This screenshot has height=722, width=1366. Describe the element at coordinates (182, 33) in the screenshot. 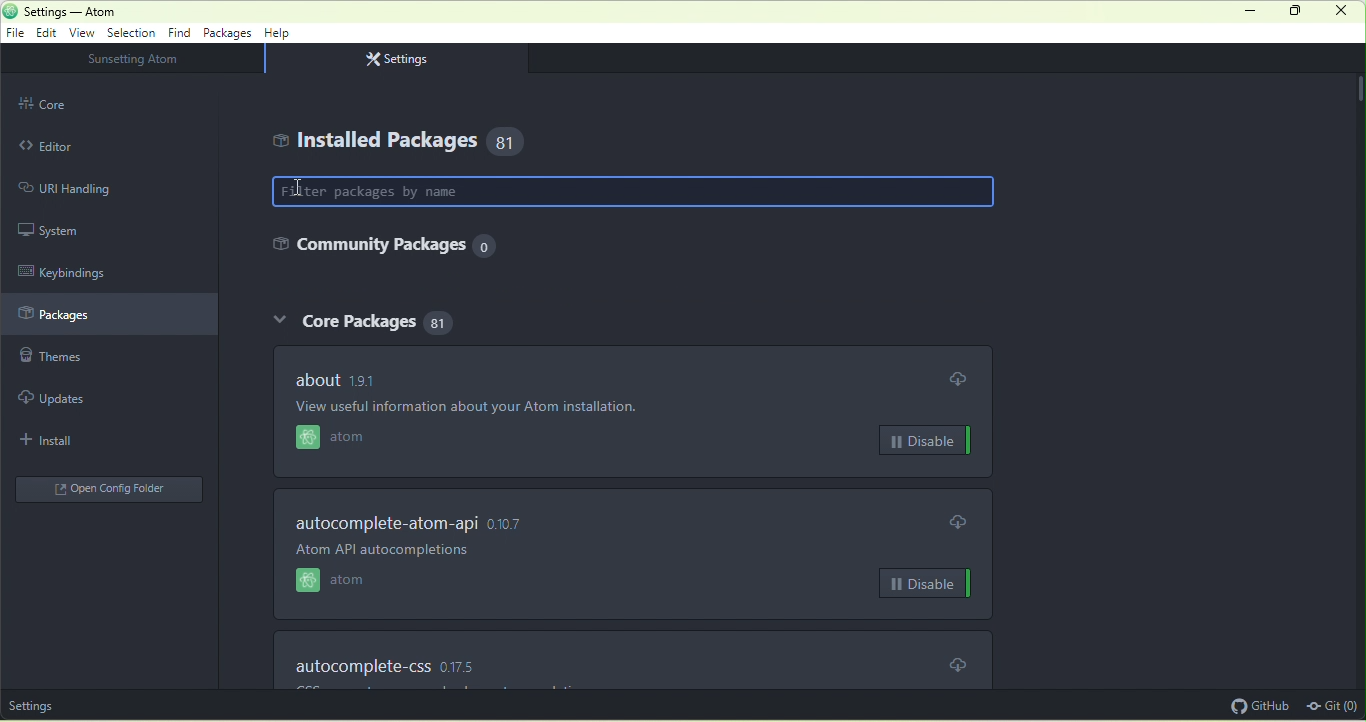

I see `find` at that location.